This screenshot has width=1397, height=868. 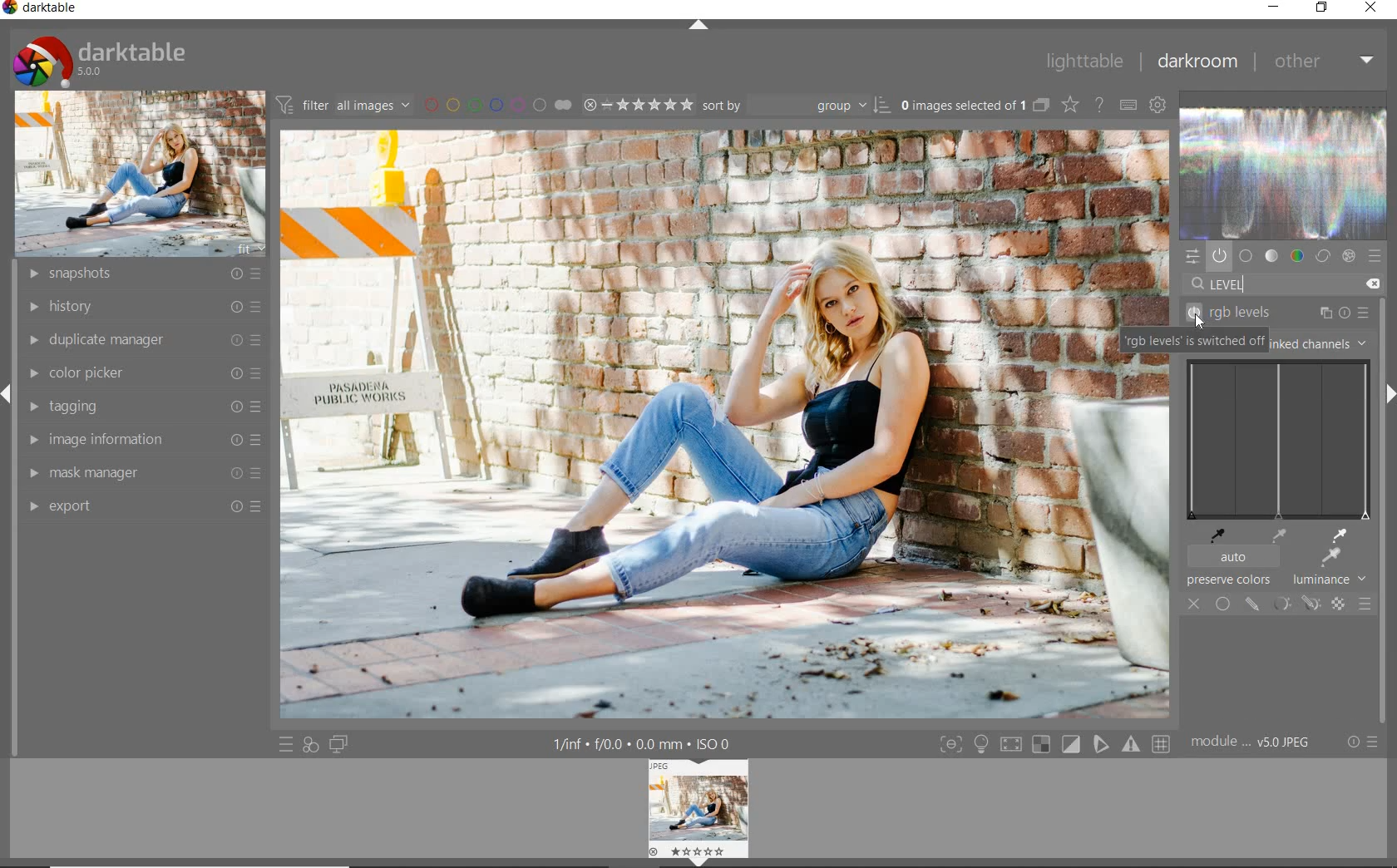 What do you see at coordinates (101, 61) in the screenshot?
I see `system logo & name` at bounding box center [101, 61].